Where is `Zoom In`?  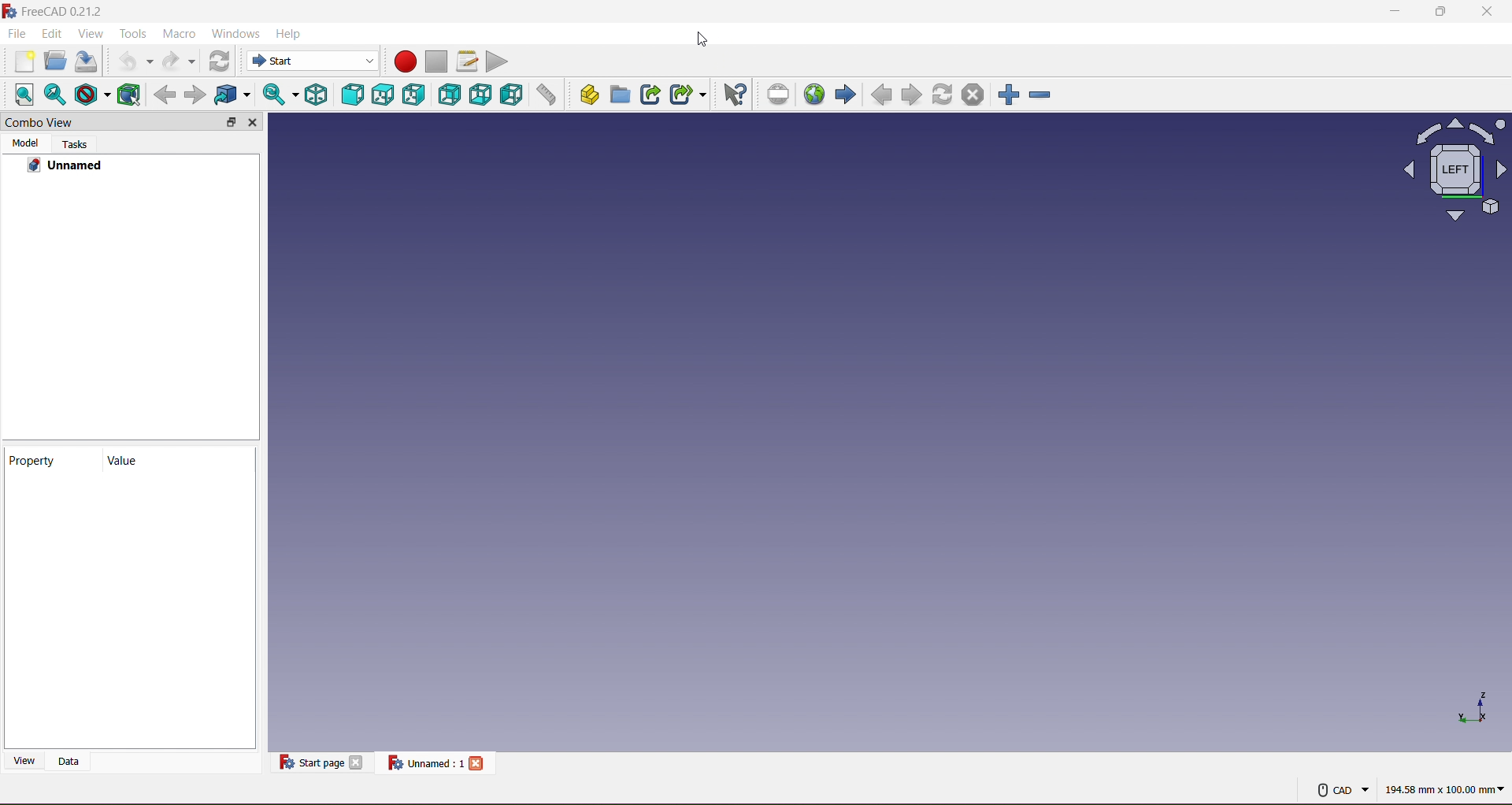 Zoom In is located at coordinates (1009, 95).